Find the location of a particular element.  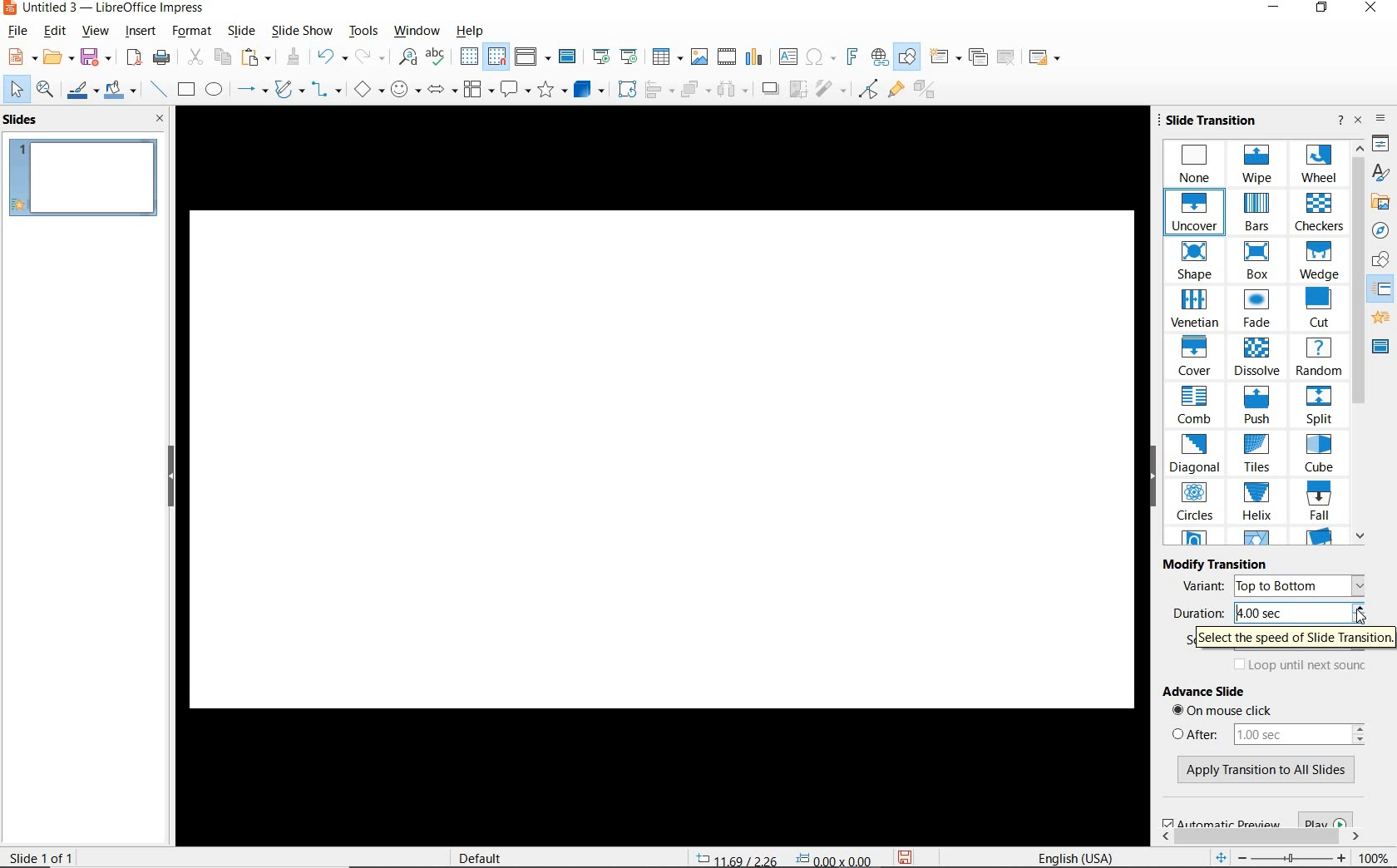

DUPLICATE SLIDE is located at coordinates (979, 57).